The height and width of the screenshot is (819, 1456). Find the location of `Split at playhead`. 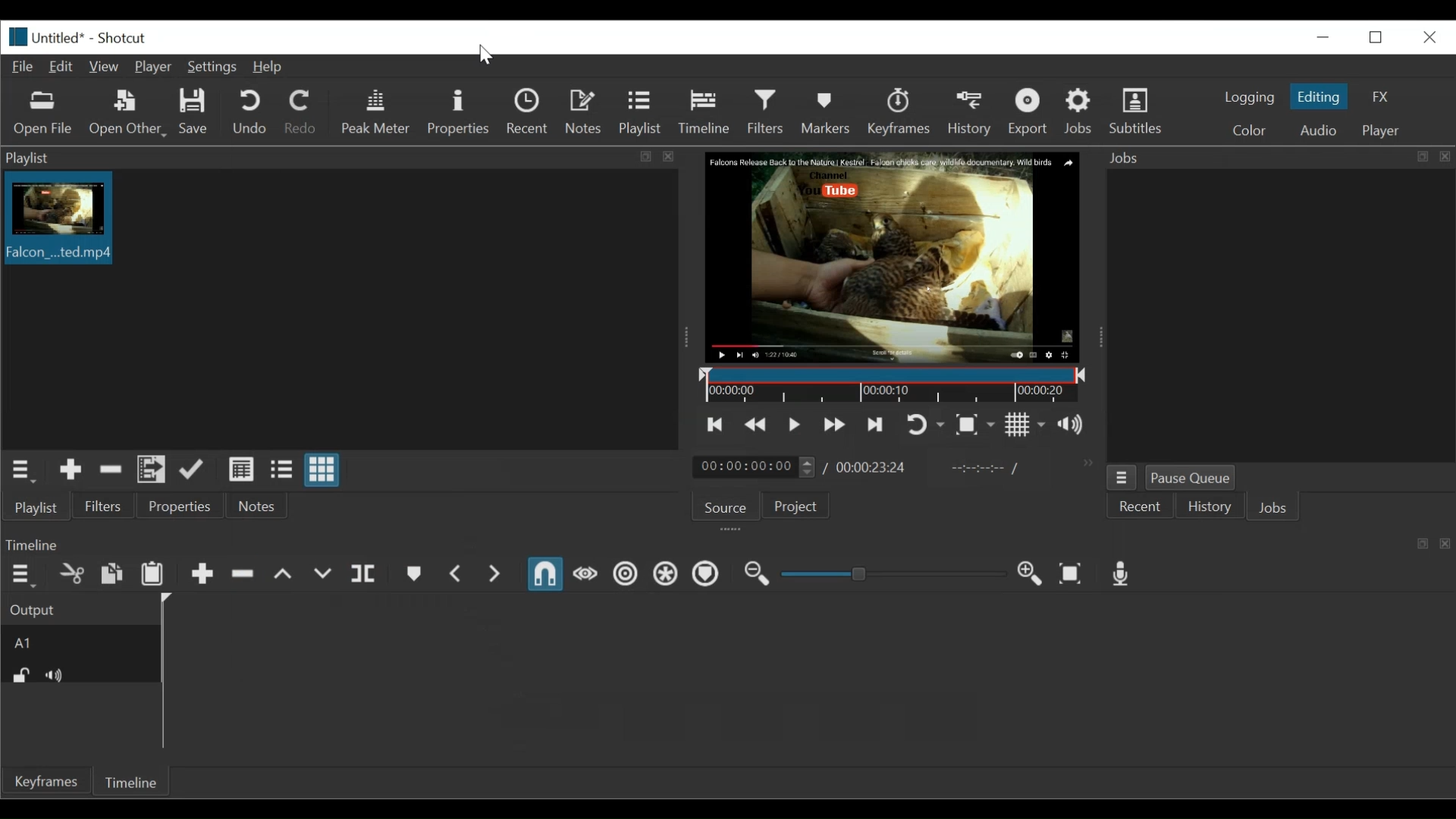

Split at playhead is located at coordinates (367, 576).